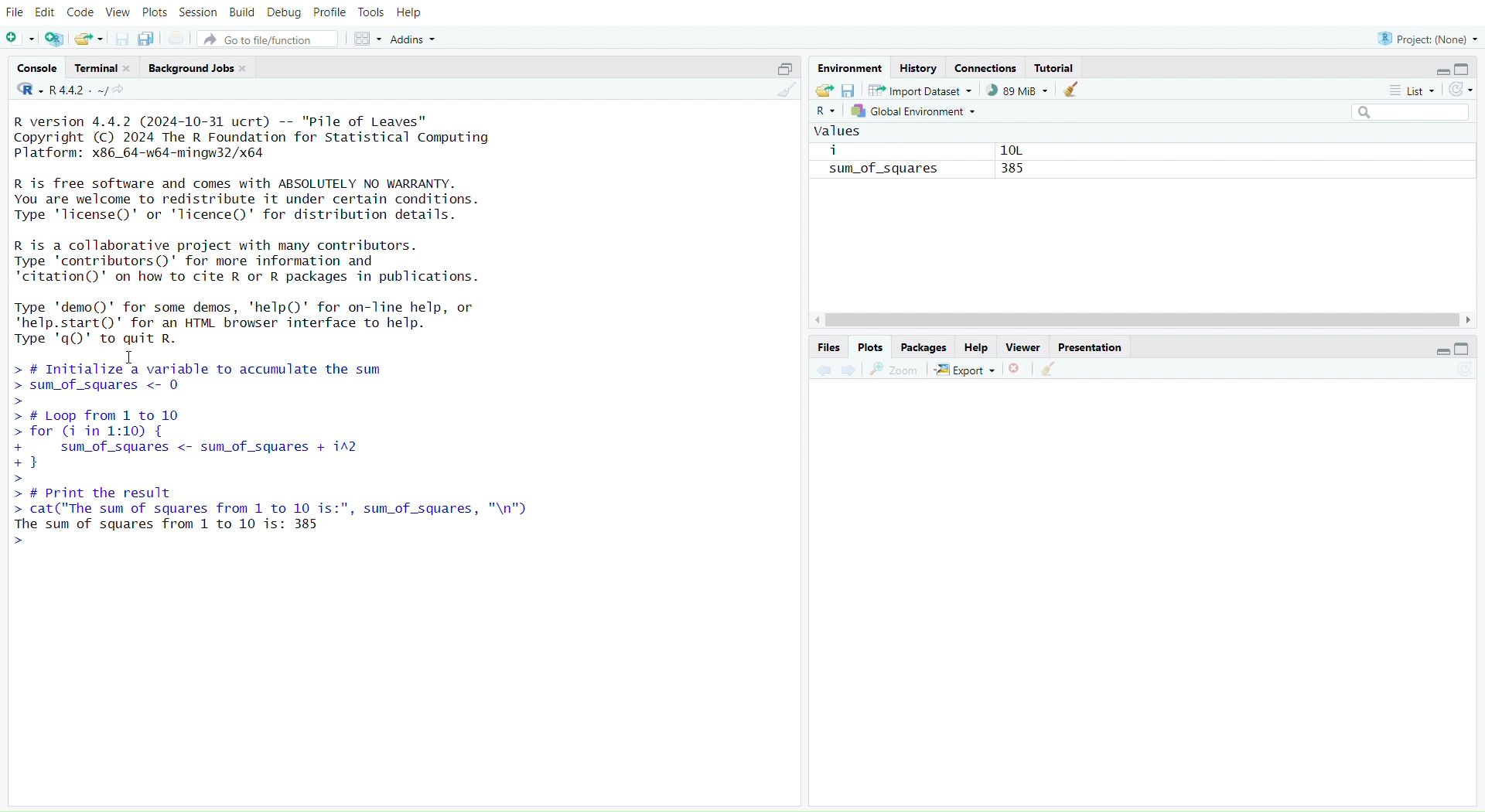 The width and height of the screenshot is (1485, 812). I want to click on R version 4.4.2 (2024-10-31 ucrt) -- "Pile of Leaves"
Copyright (C) 2024 The R Foundation for Statistical Computing
Platform: x86_64-w64-mingw32/x64, so click(267, 138).